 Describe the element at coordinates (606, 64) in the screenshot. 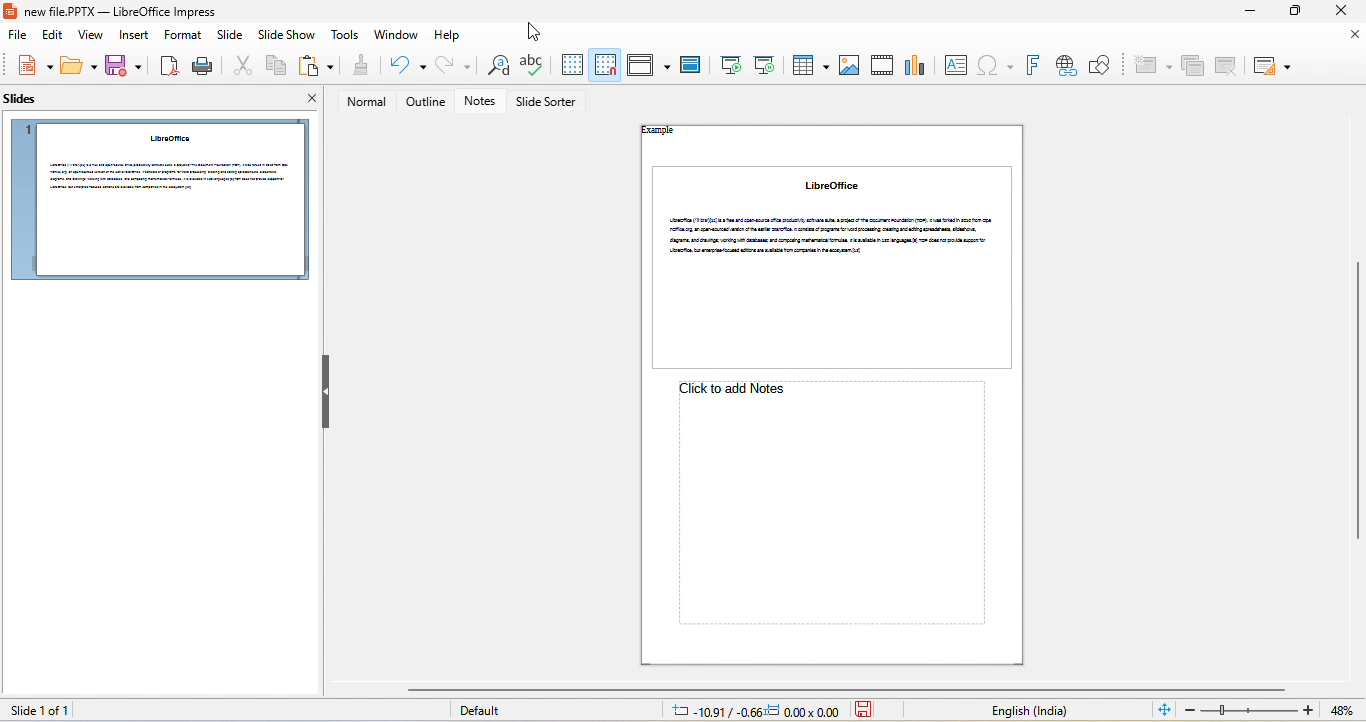

I see `snap to grid` at that location.